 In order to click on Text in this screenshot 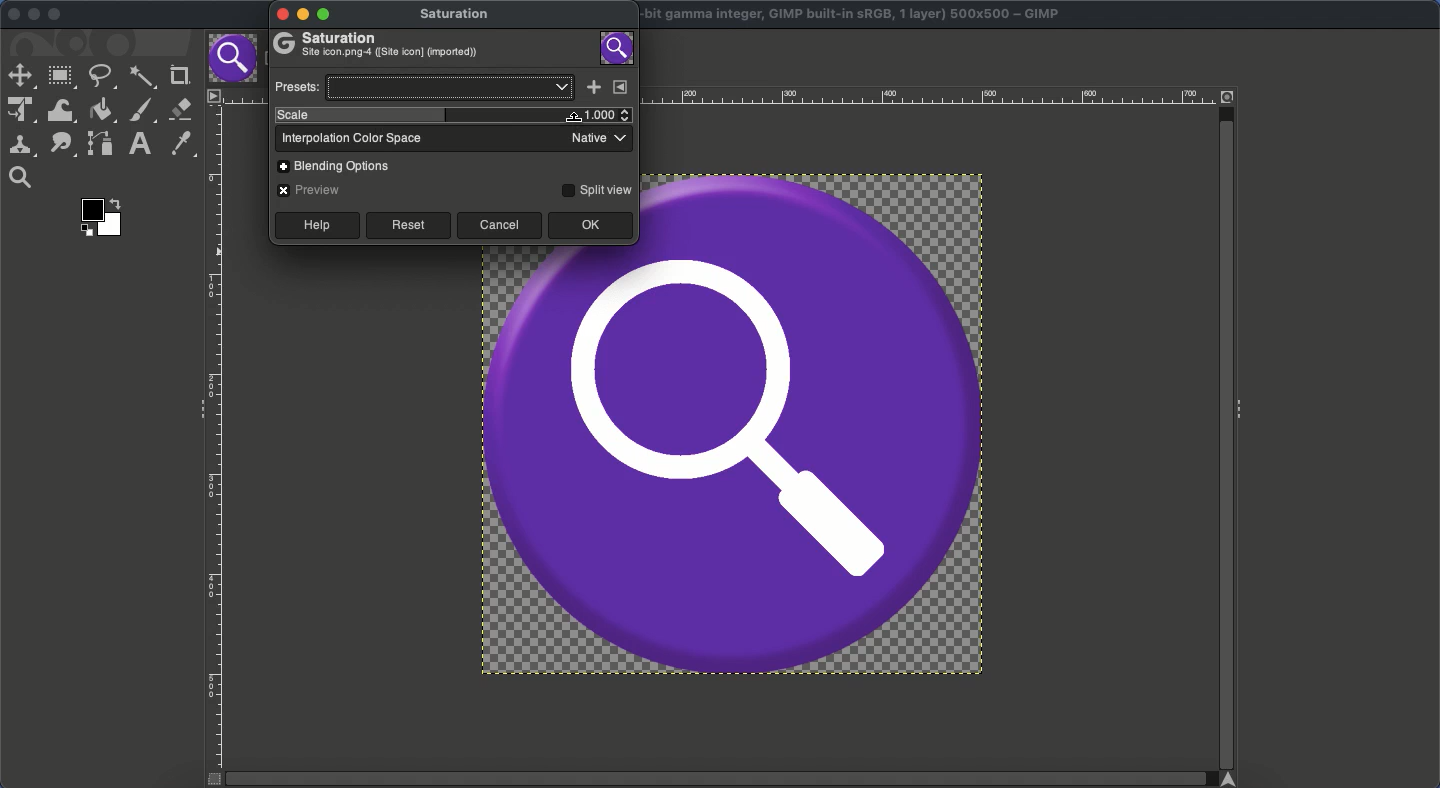, I will do `click(139, 144)`.